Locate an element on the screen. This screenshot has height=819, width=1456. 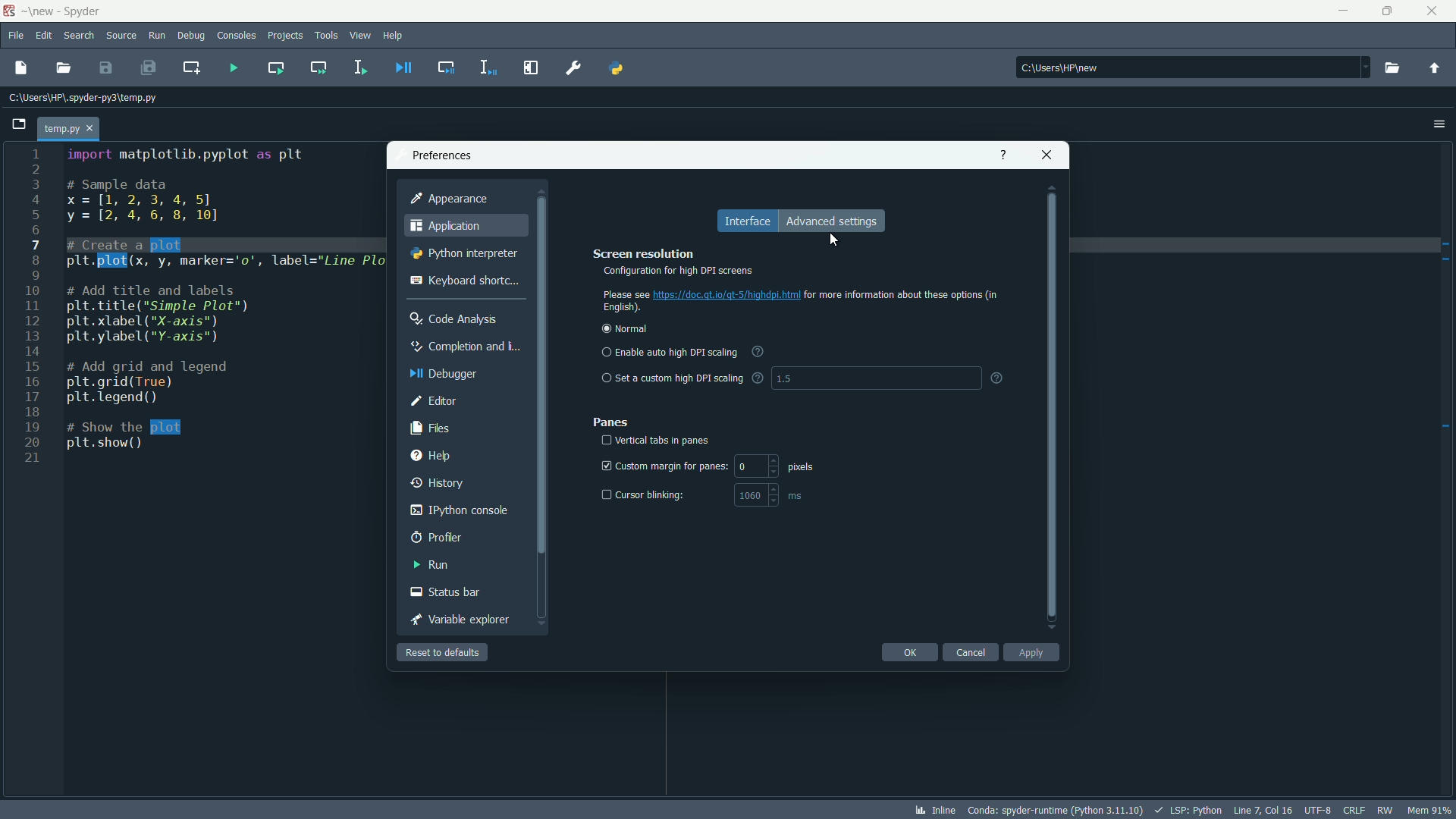
consoles is located at coordinates (237, 36).